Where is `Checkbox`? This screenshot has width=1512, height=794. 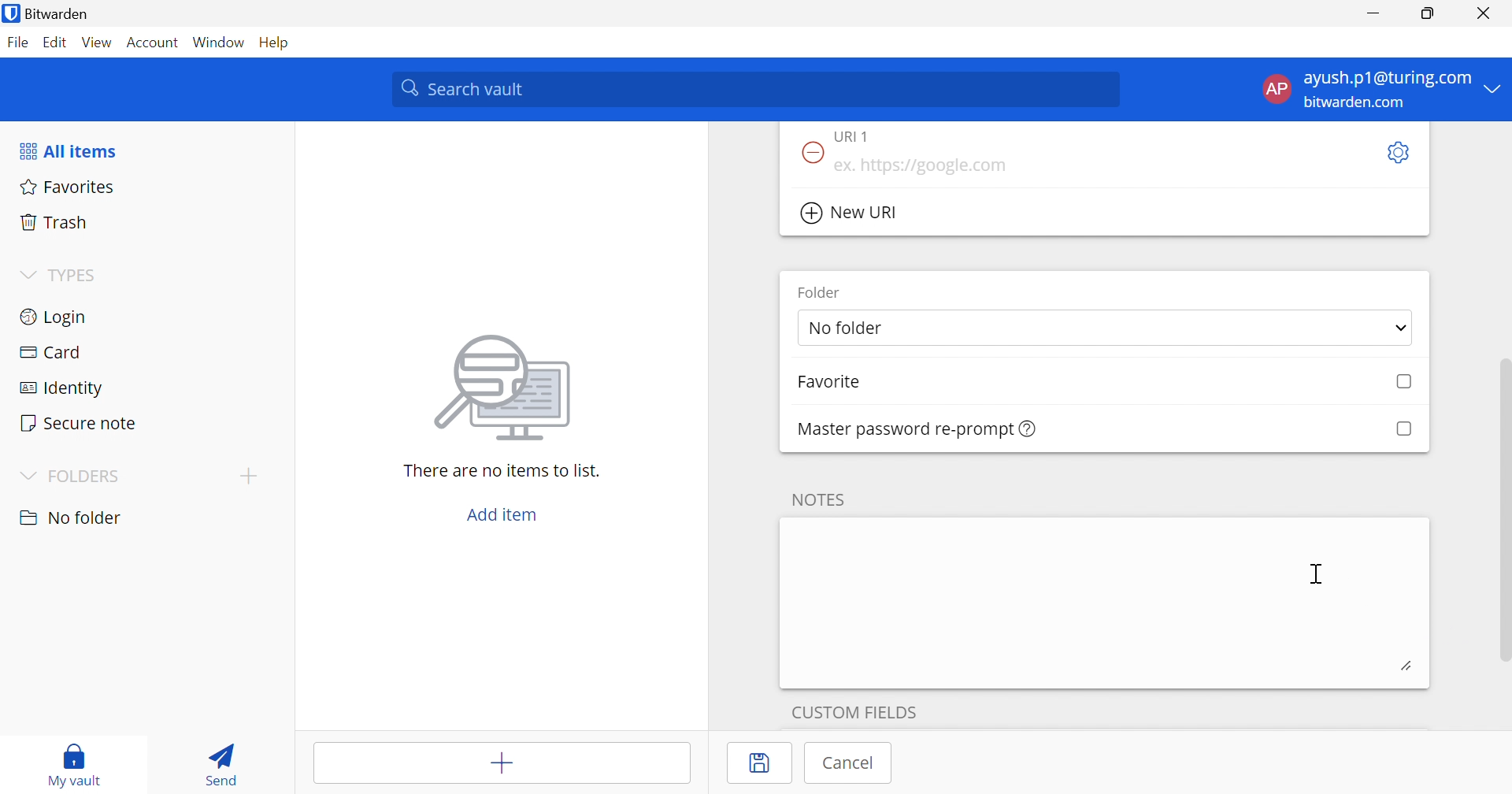
Checkbox is located at coordinates (1405, 382).